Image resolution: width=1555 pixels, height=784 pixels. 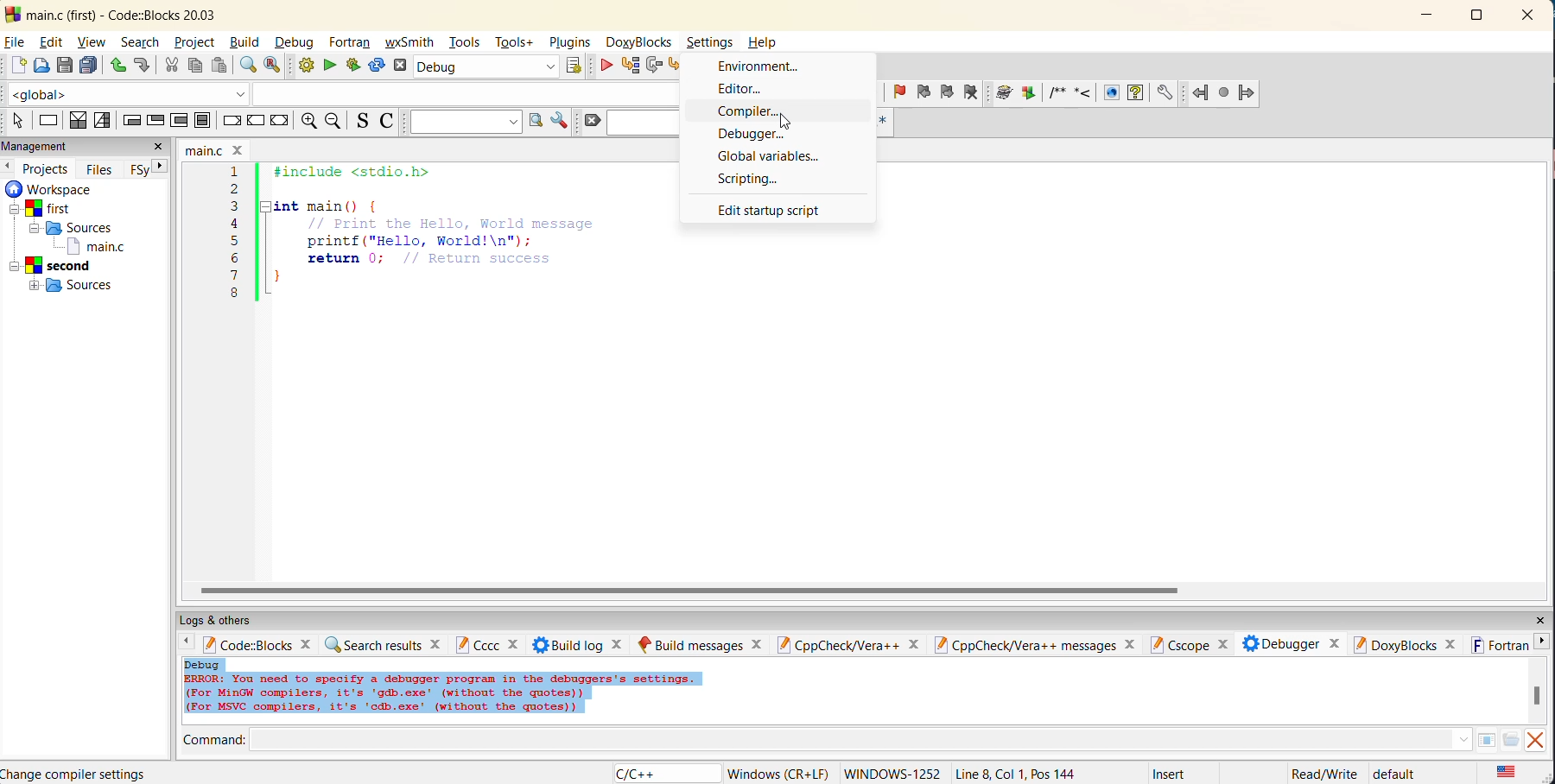 What do you see at coordinates (412, 44) in the screenshot?
I see `wxsmith` at bounding box center [412, 44].